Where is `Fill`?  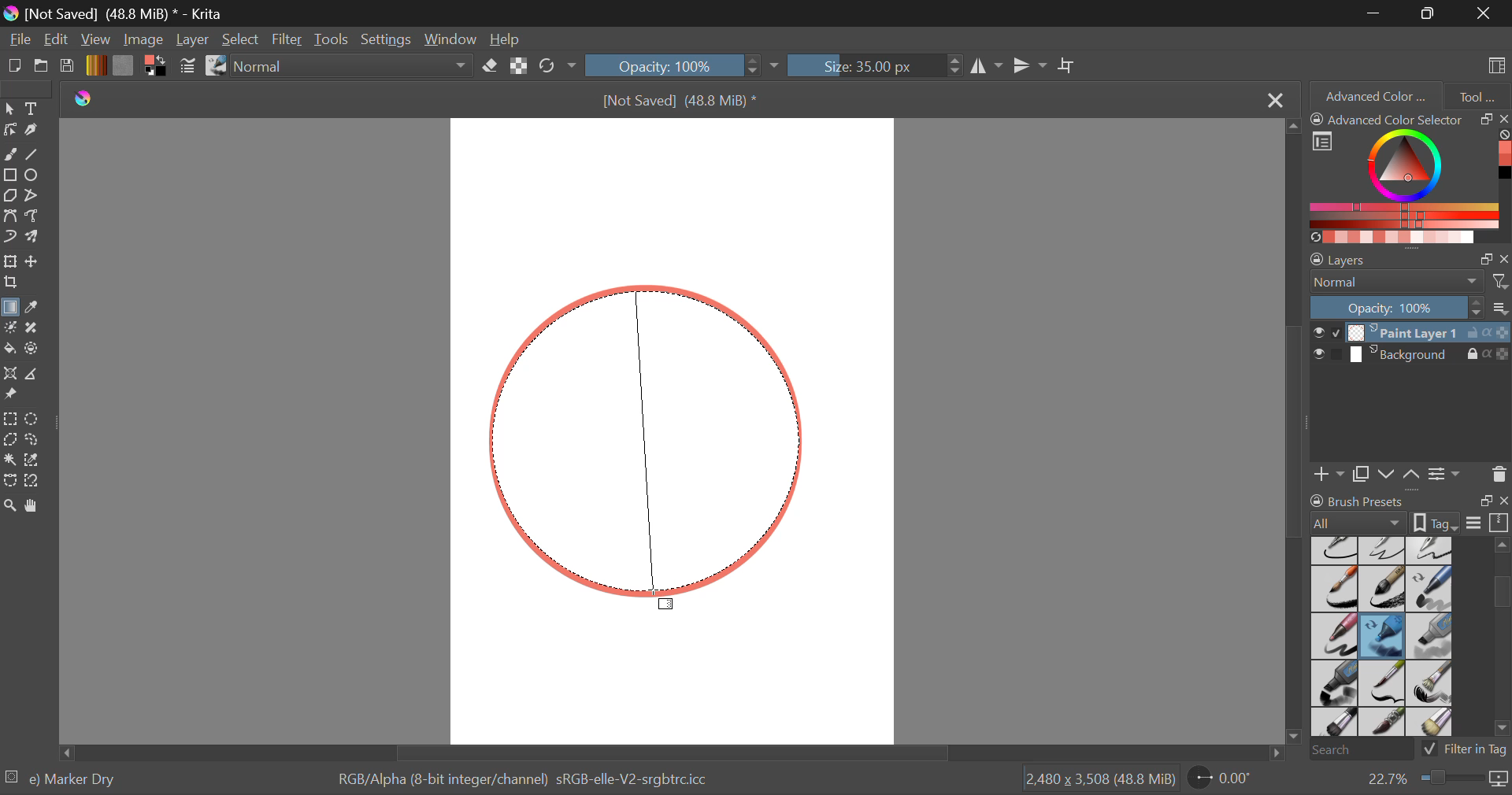
Fill is located at coordinates (9, 346).